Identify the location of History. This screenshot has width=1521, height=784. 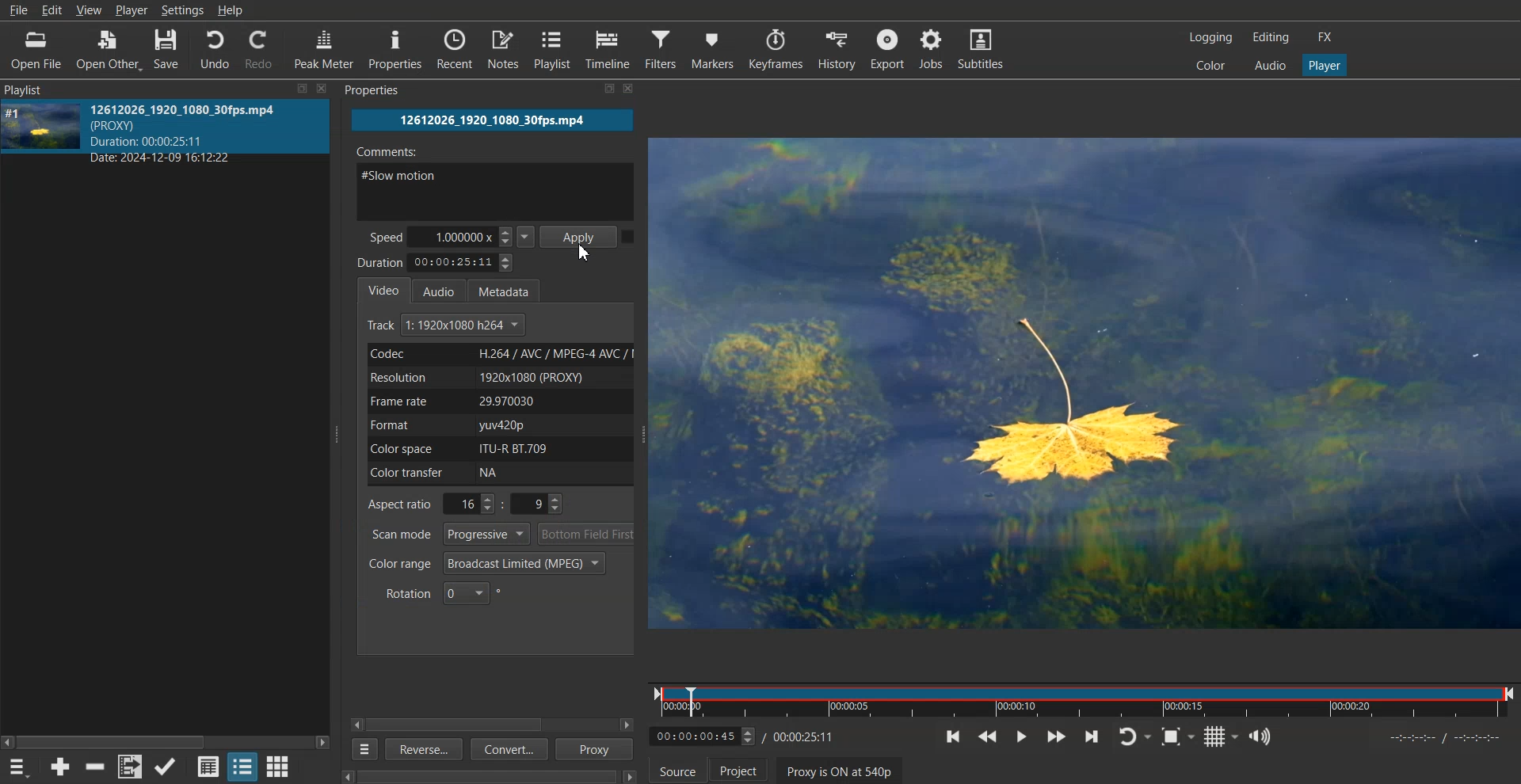
(833, 48).